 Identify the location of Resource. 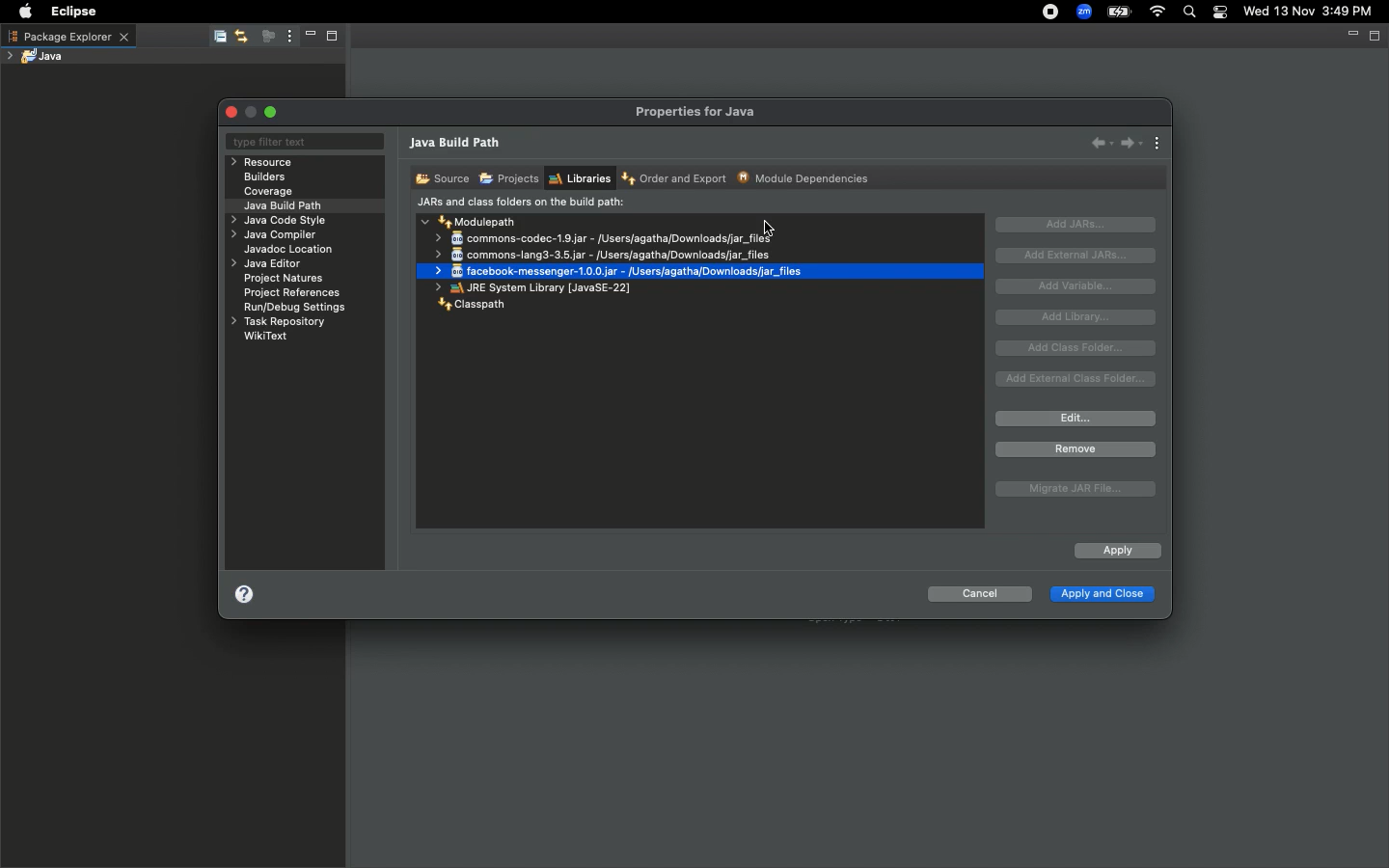
(264, 162).